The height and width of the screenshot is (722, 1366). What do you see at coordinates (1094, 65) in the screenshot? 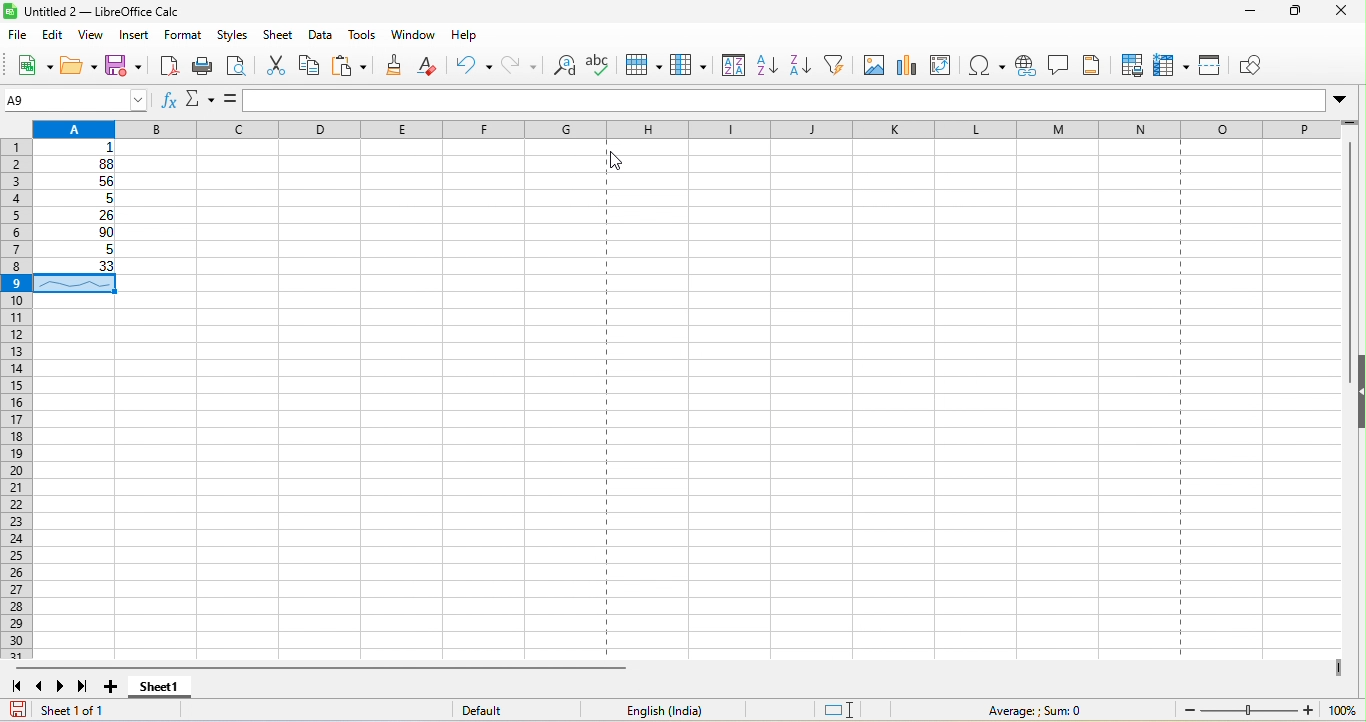
I see `headers and footers` at bounding box center [1094, 65].